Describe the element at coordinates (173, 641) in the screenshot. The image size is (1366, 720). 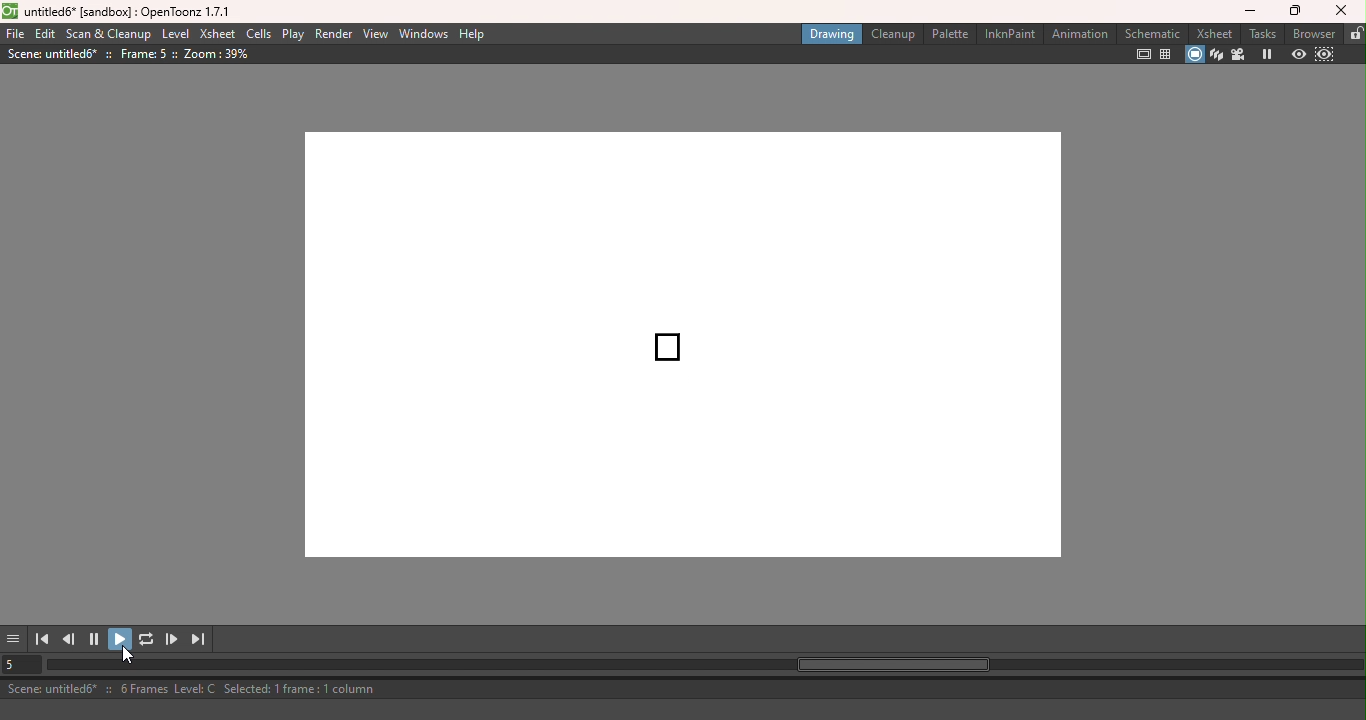
I see `Next frame` at that location.